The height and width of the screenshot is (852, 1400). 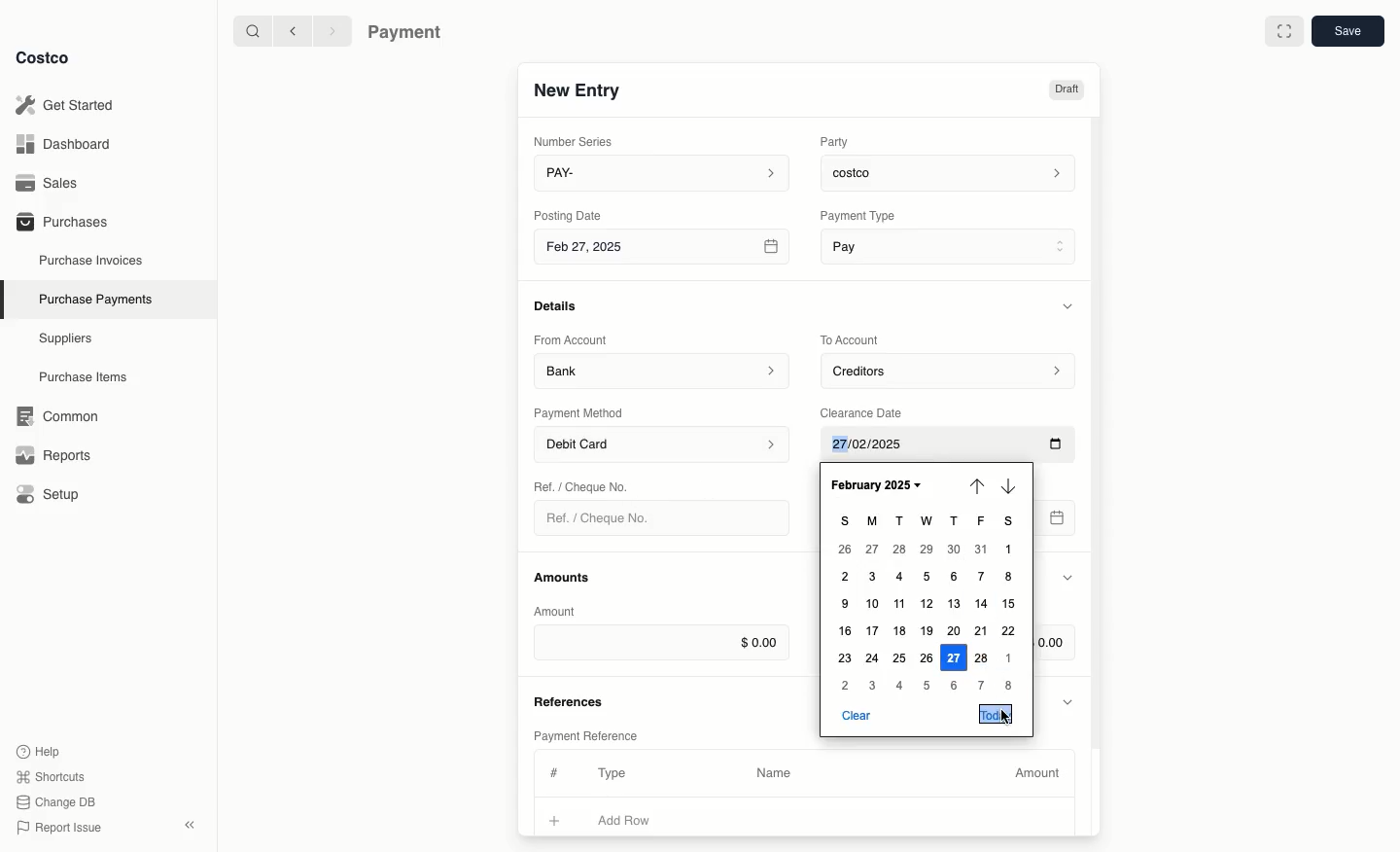 What do you see at coordinates (561, 305) in the screenshot?
I see `Details` at bounding box center [561, 305].